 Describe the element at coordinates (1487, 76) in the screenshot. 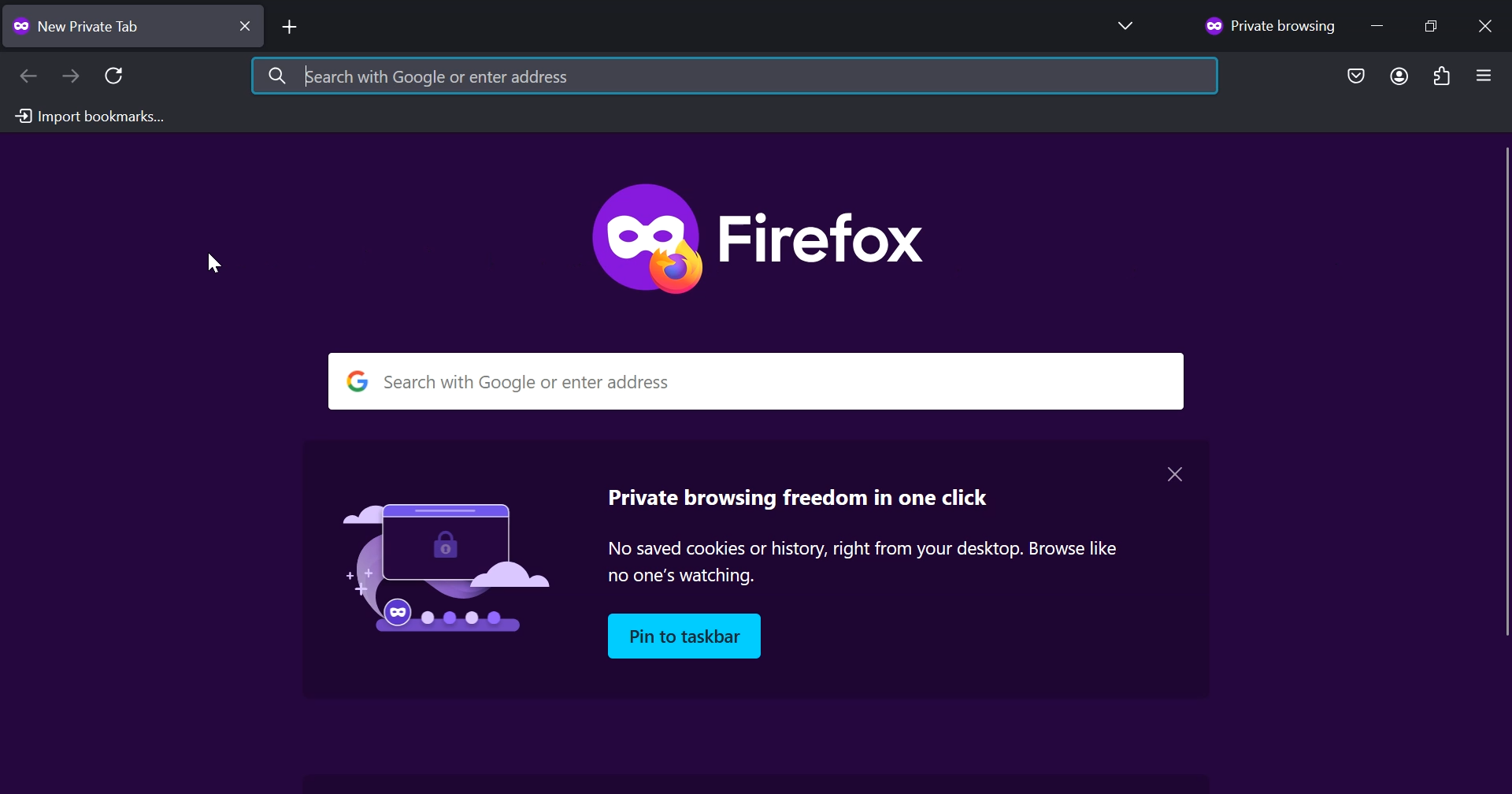

I see `Open Application Menu` at that location.